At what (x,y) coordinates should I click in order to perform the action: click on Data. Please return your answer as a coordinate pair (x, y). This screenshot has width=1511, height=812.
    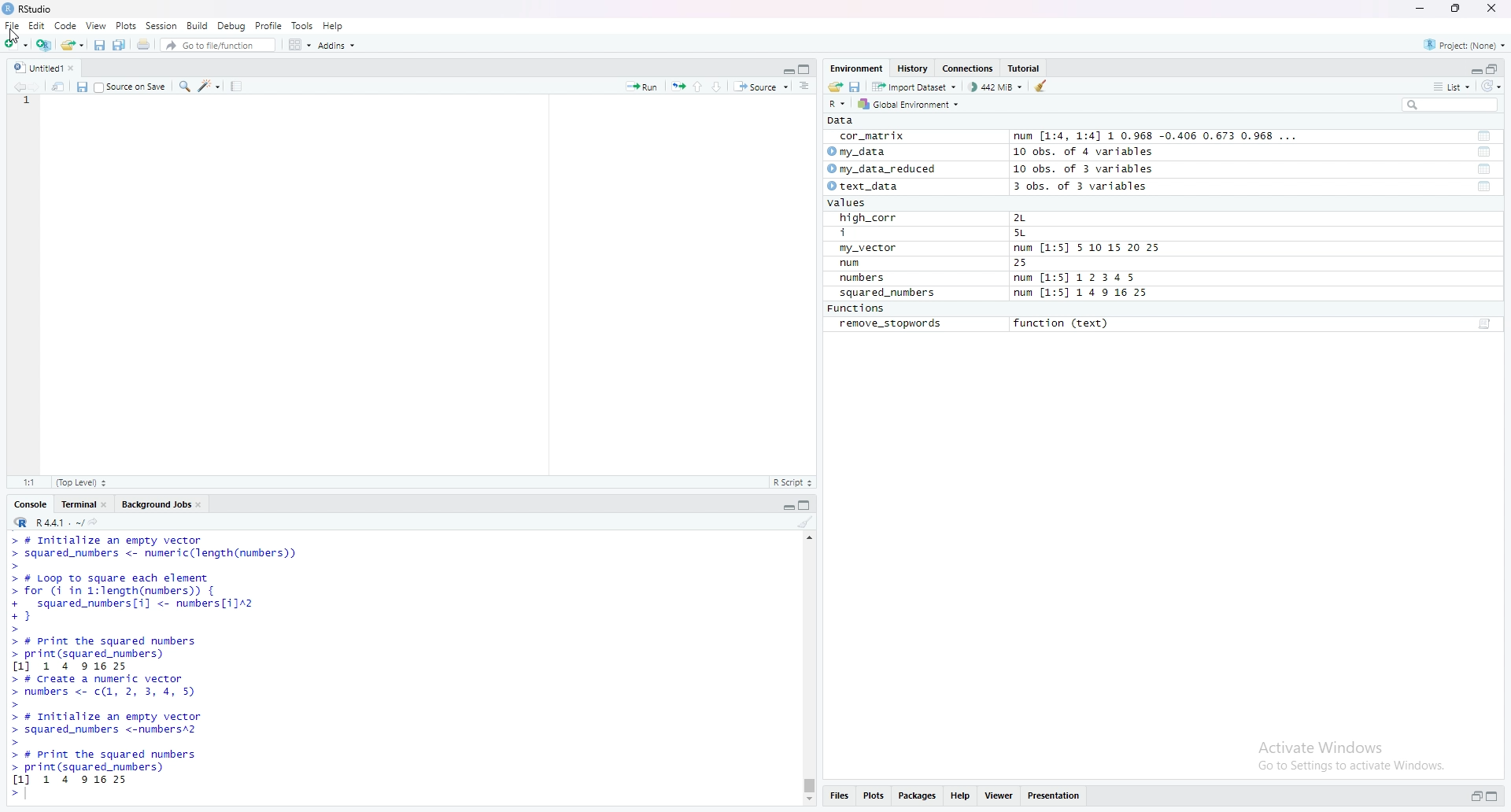
    Looking at the image, I should click on (838, 120).